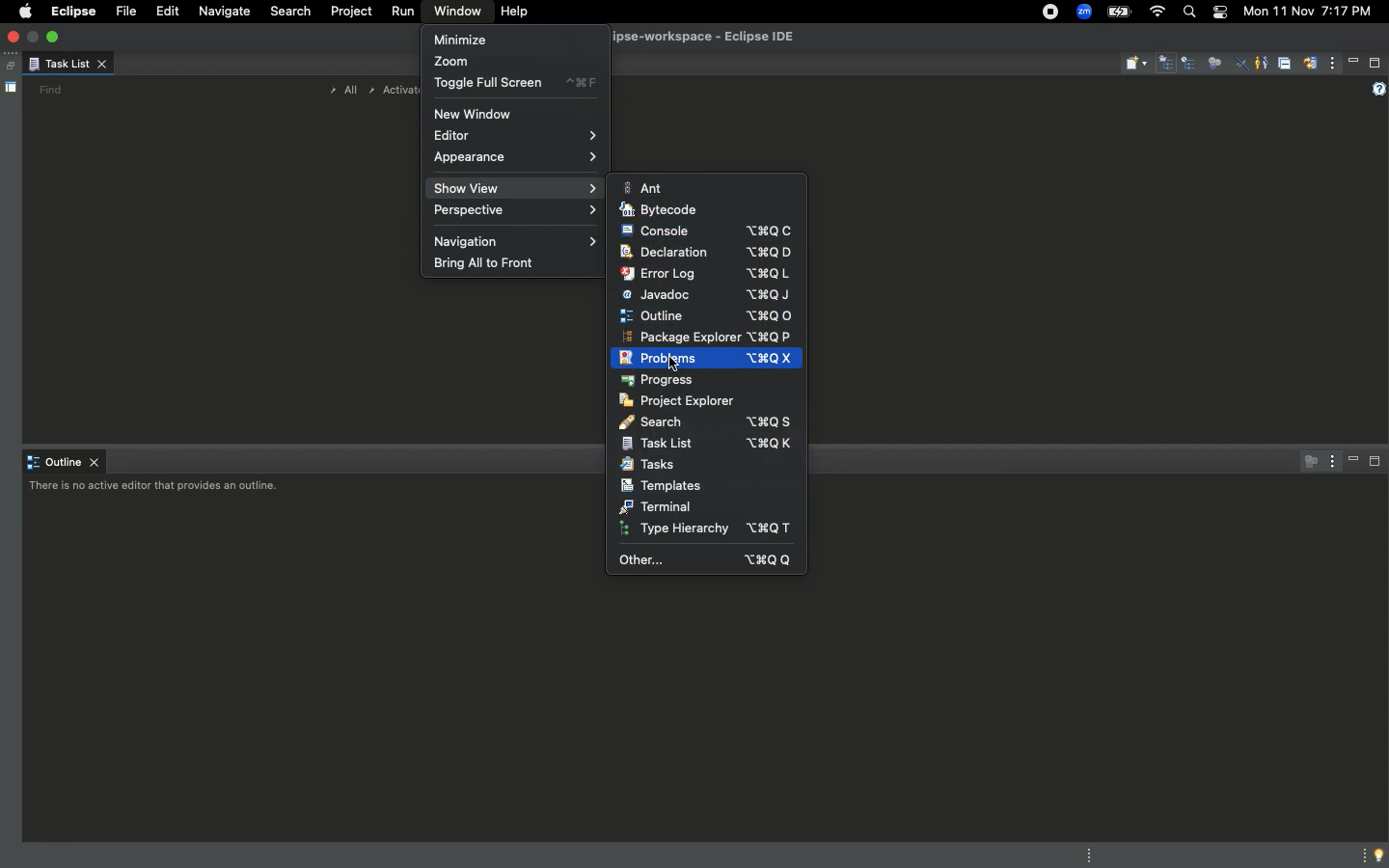 The image size is (1389, 868). Describe the element at coordinates (711, 253) in the screenshot. I see `Declaration` at that location.